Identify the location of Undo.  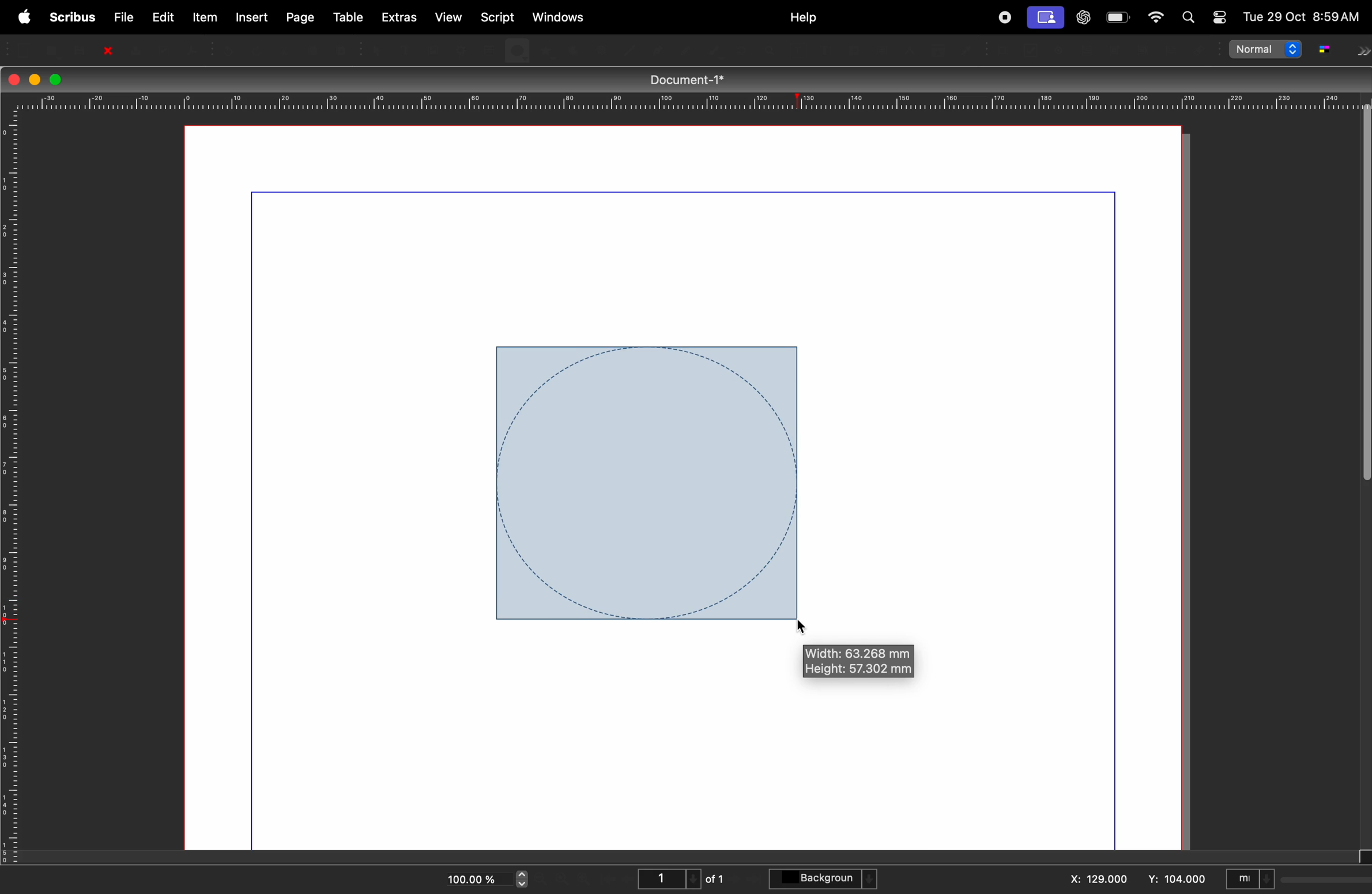
(230, 48).